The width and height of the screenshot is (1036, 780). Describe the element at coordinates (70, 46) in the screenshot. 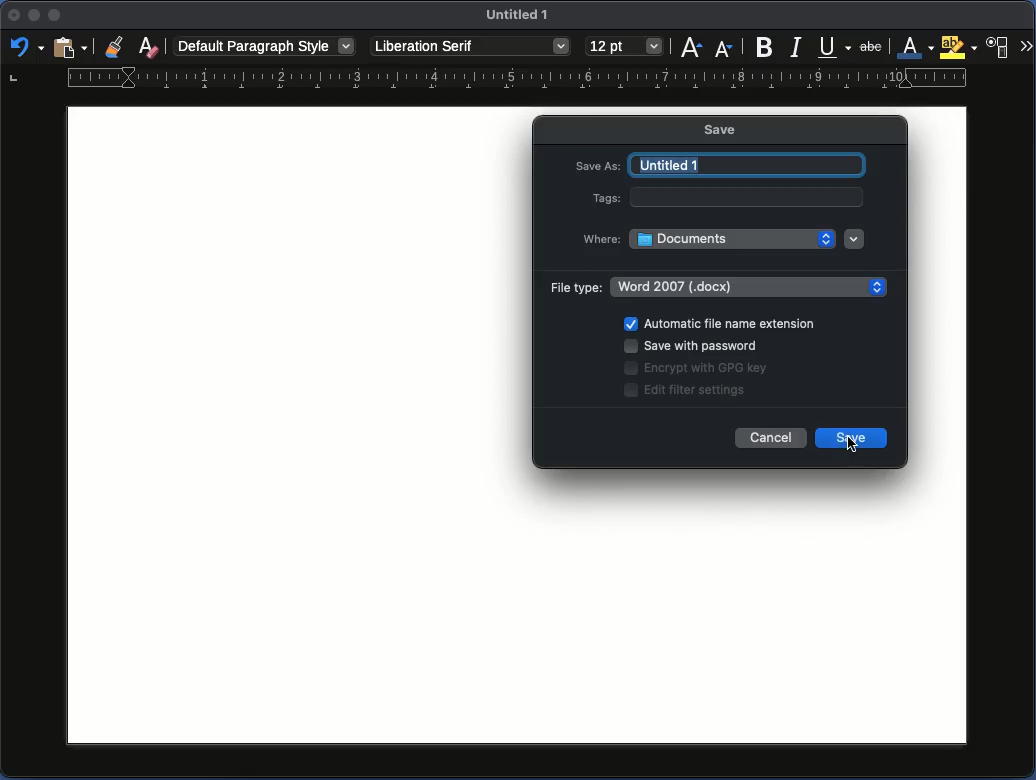

I see `Clipboard` at that location.